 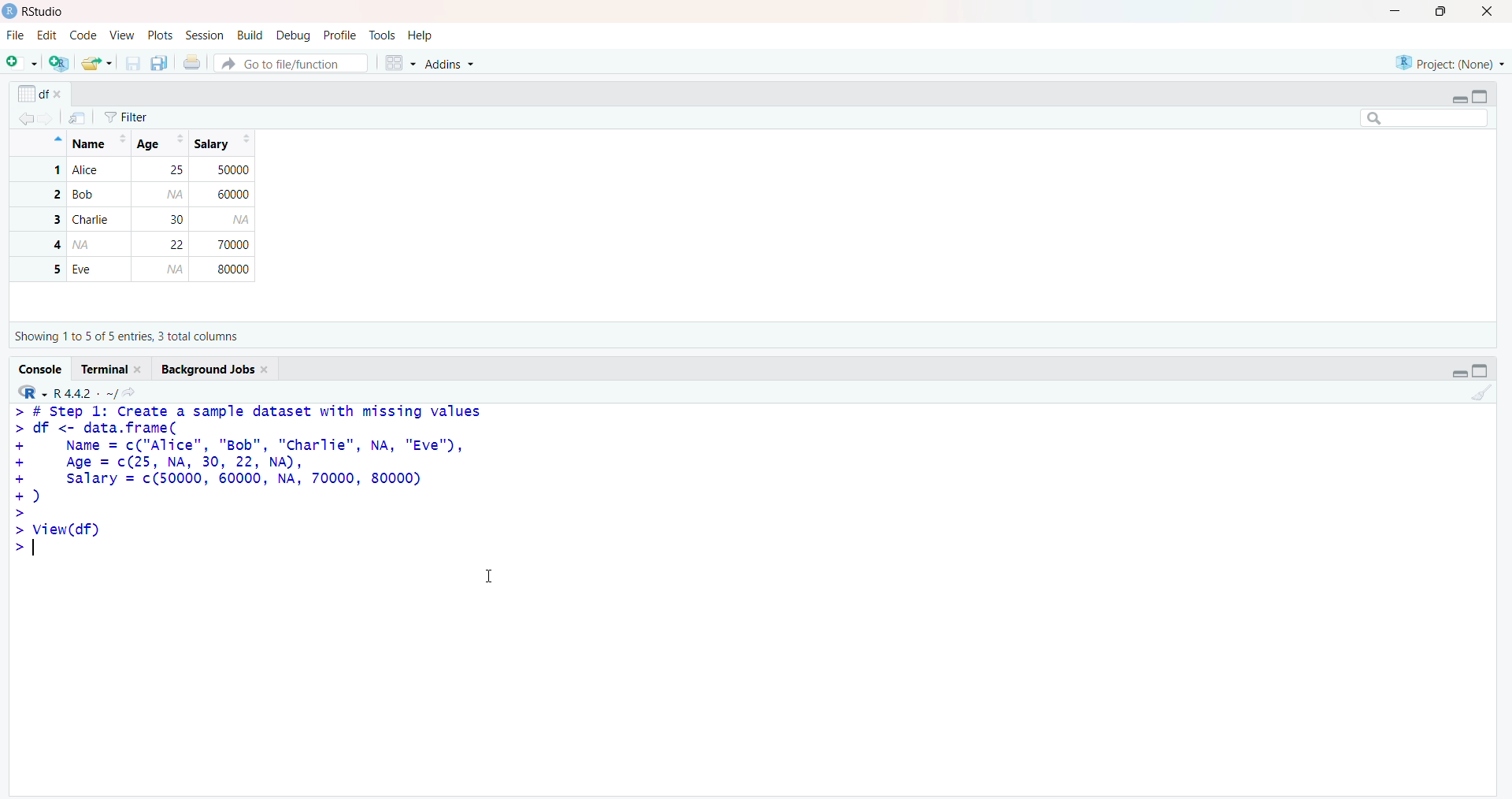 I want to click on View, so click(x=121, y=36).